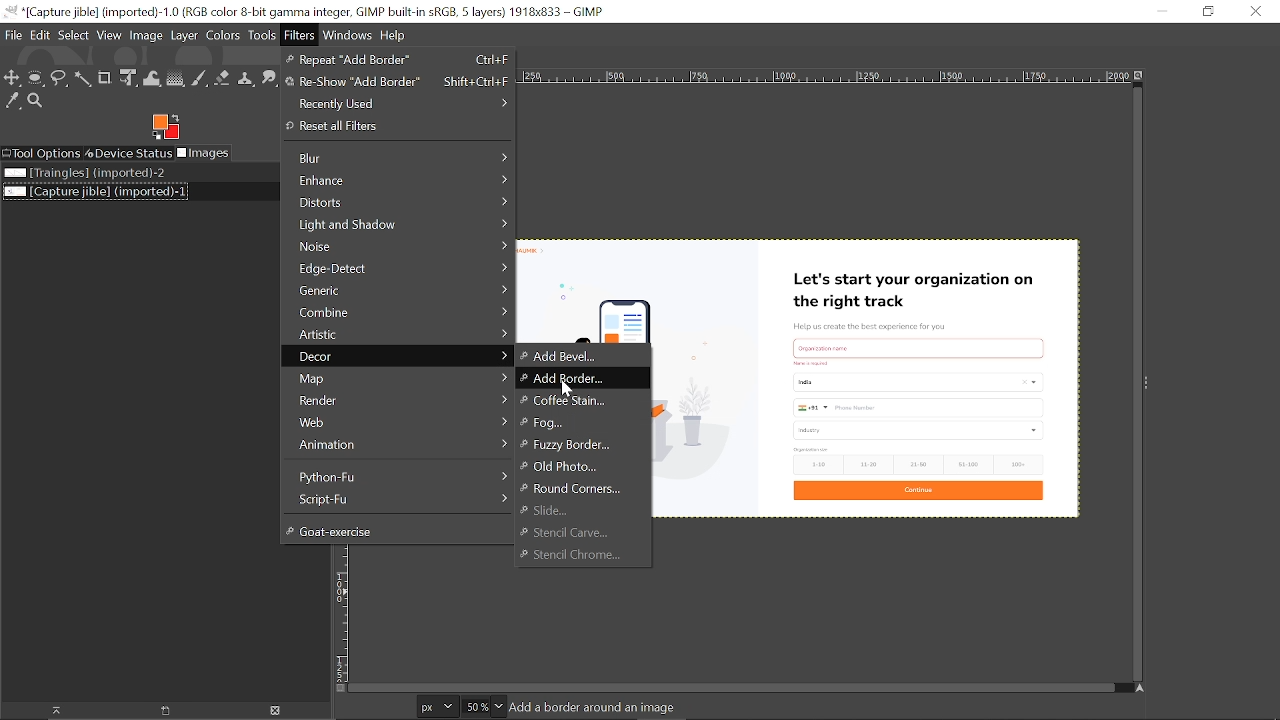  I want to click on Repeat "Add Border", so click(398, 60).